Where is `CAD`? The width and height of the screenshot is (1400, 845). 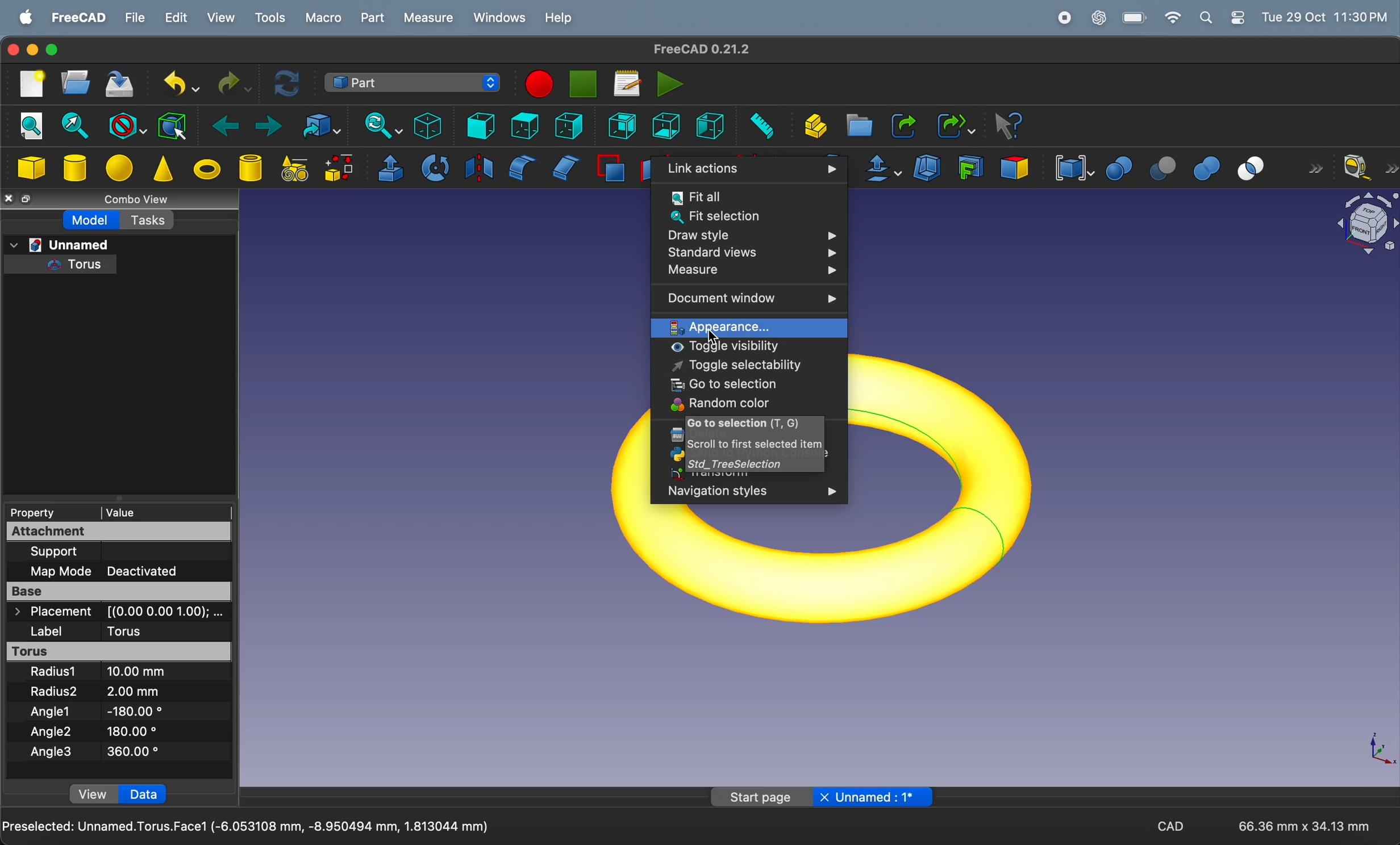
CAD is located at coordinates (1170, 825).